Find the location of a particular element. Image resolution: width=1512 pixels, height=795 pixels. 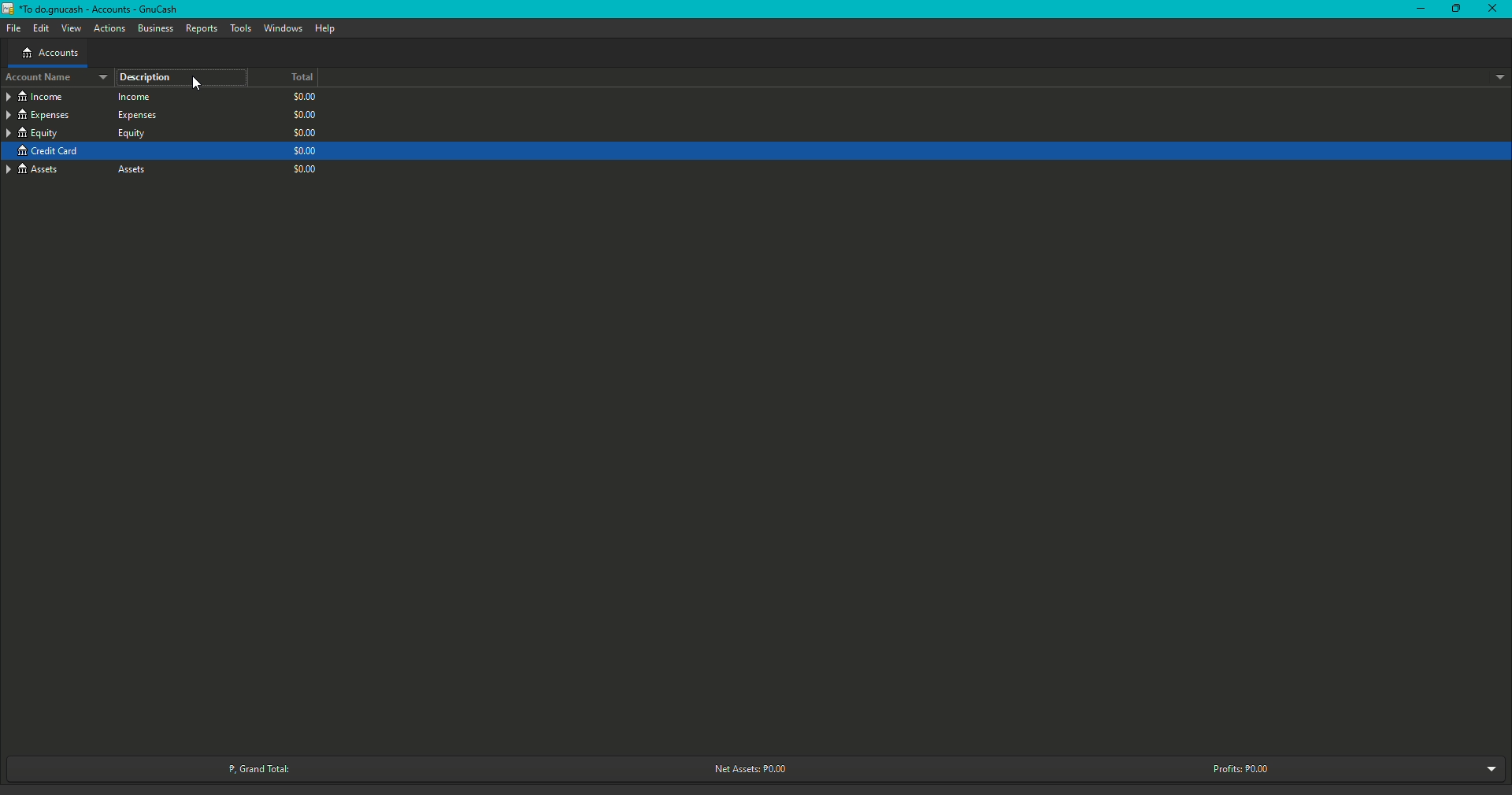

Gnucash is located at coordinates (95, 13).